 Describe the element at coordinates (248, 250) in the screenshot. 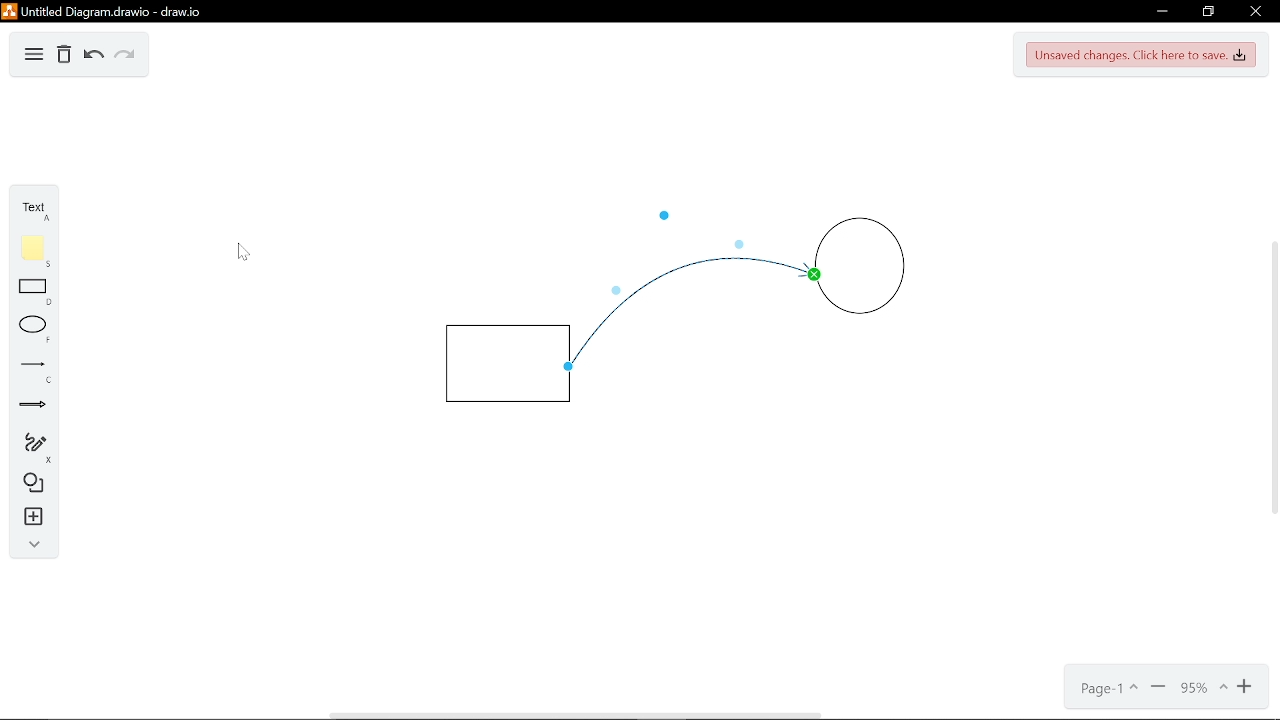

I see `Cursor` at that location.